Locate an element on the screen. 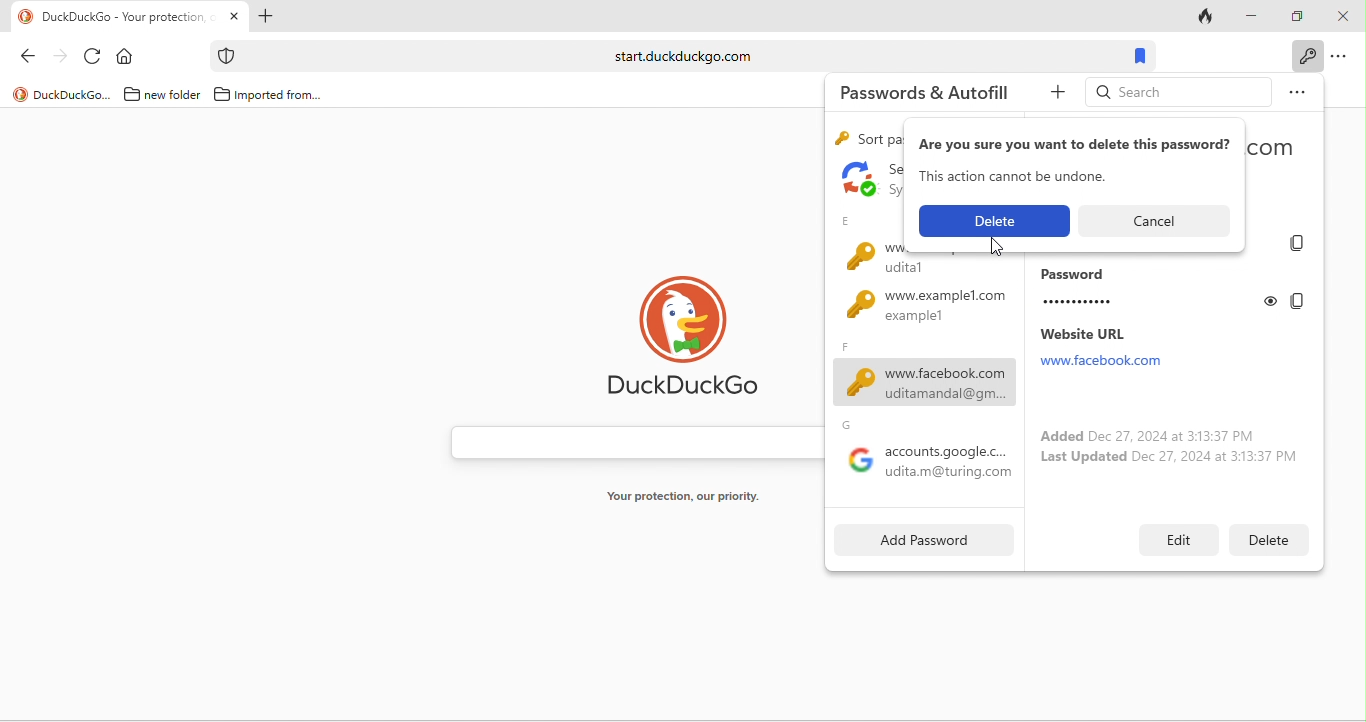  icon is located at coordinates (860, 256).